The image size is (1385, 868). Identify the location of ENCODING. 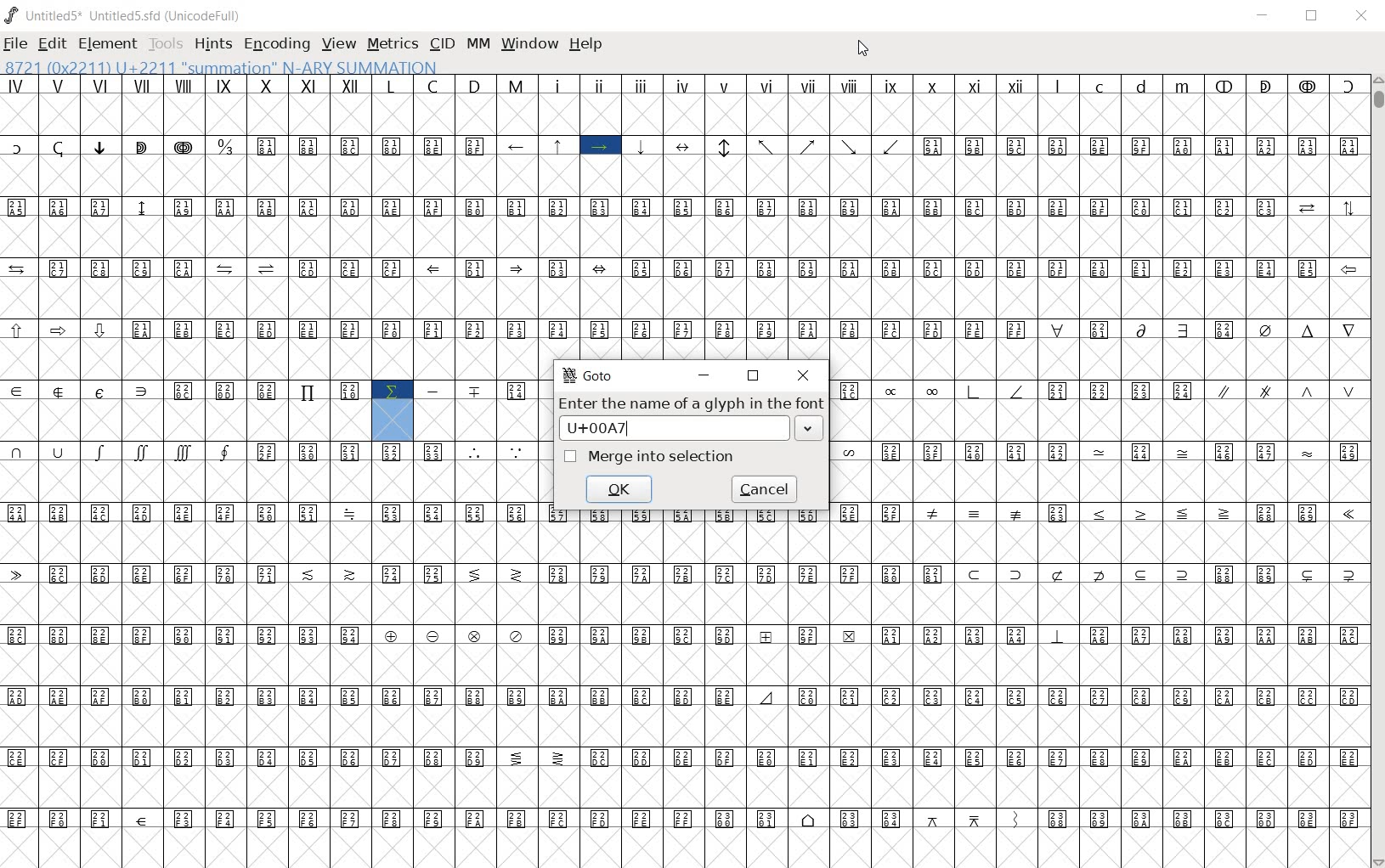
(275, 45).